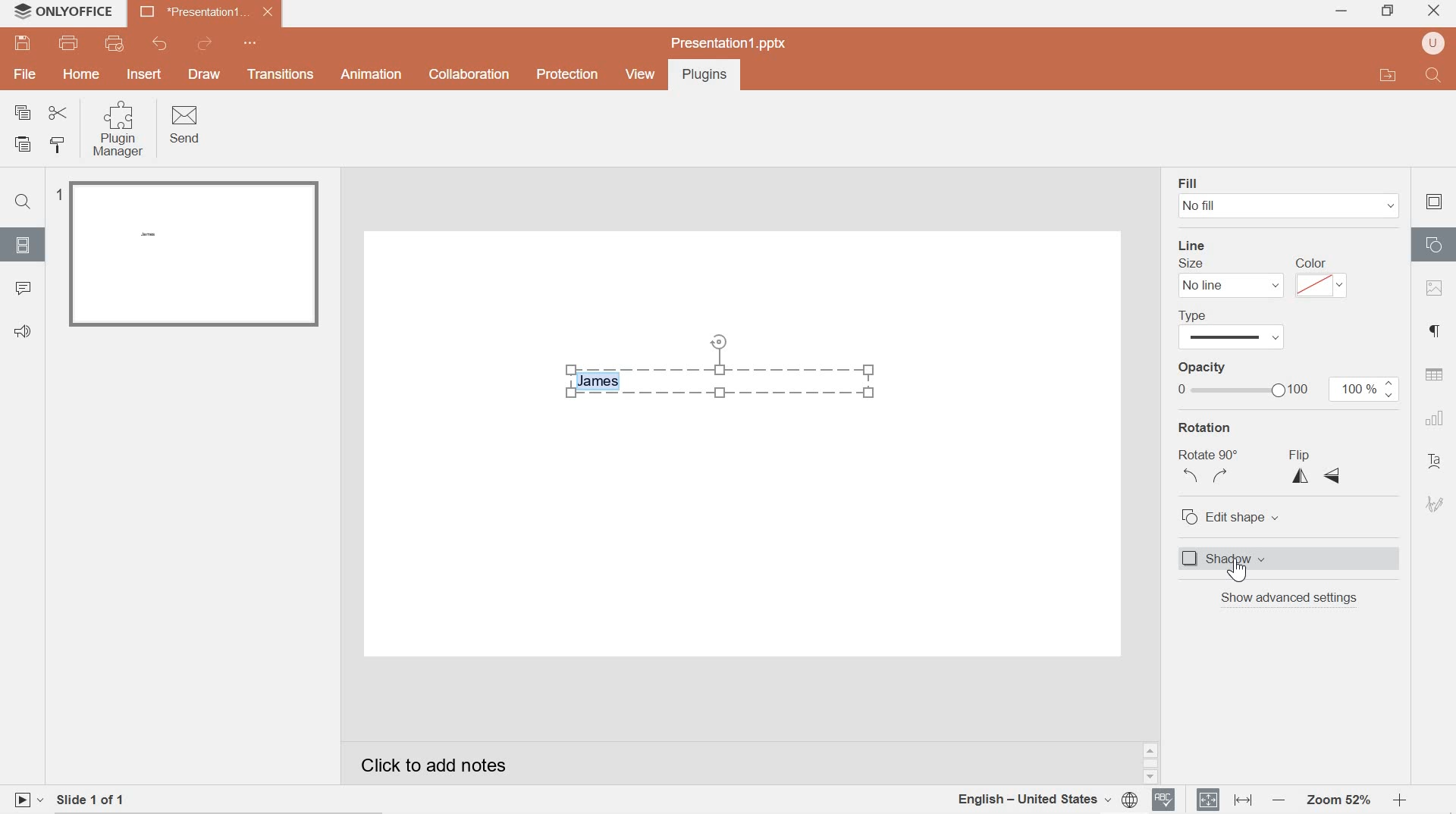 The image size is (1456, 814). Describe the element at coordinates (1398, 800) in the screenshot. I see `zoom in` at that location.